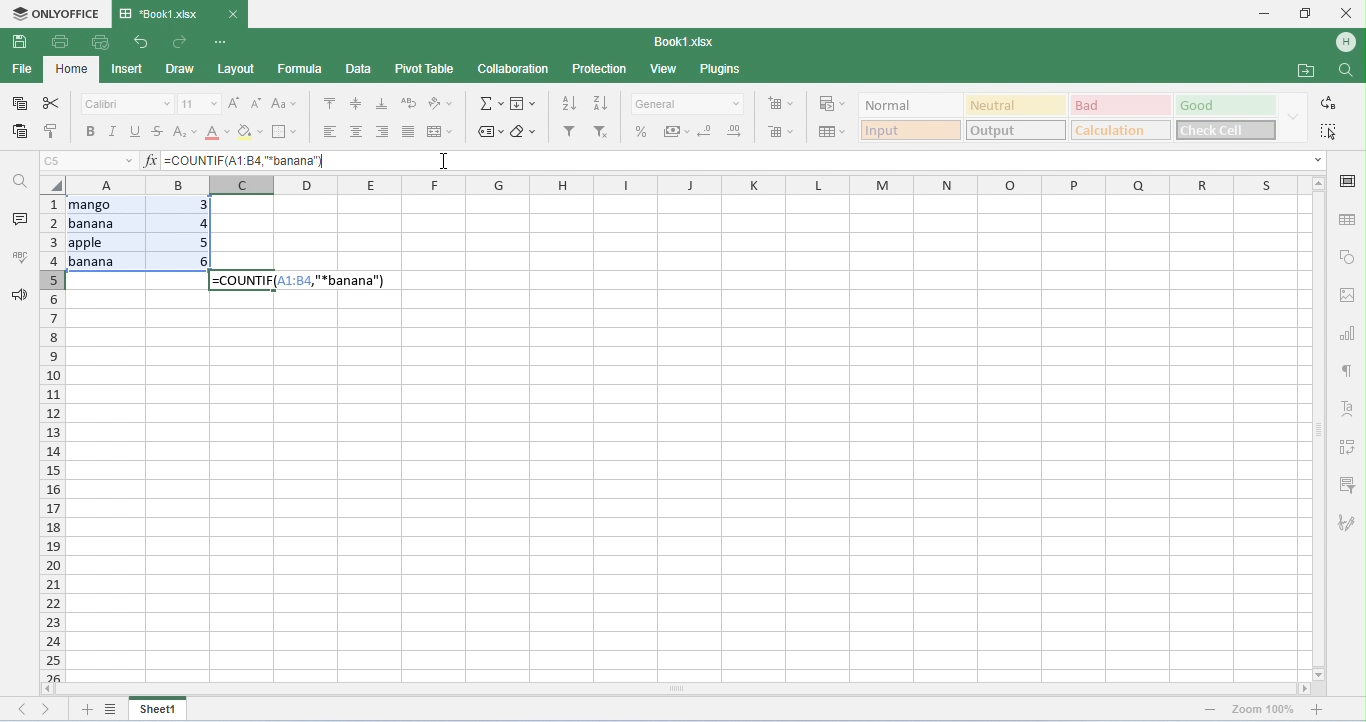 The height and width of the screenshot is (722, 1366). I want to click on collaboration, so click(515, 69).